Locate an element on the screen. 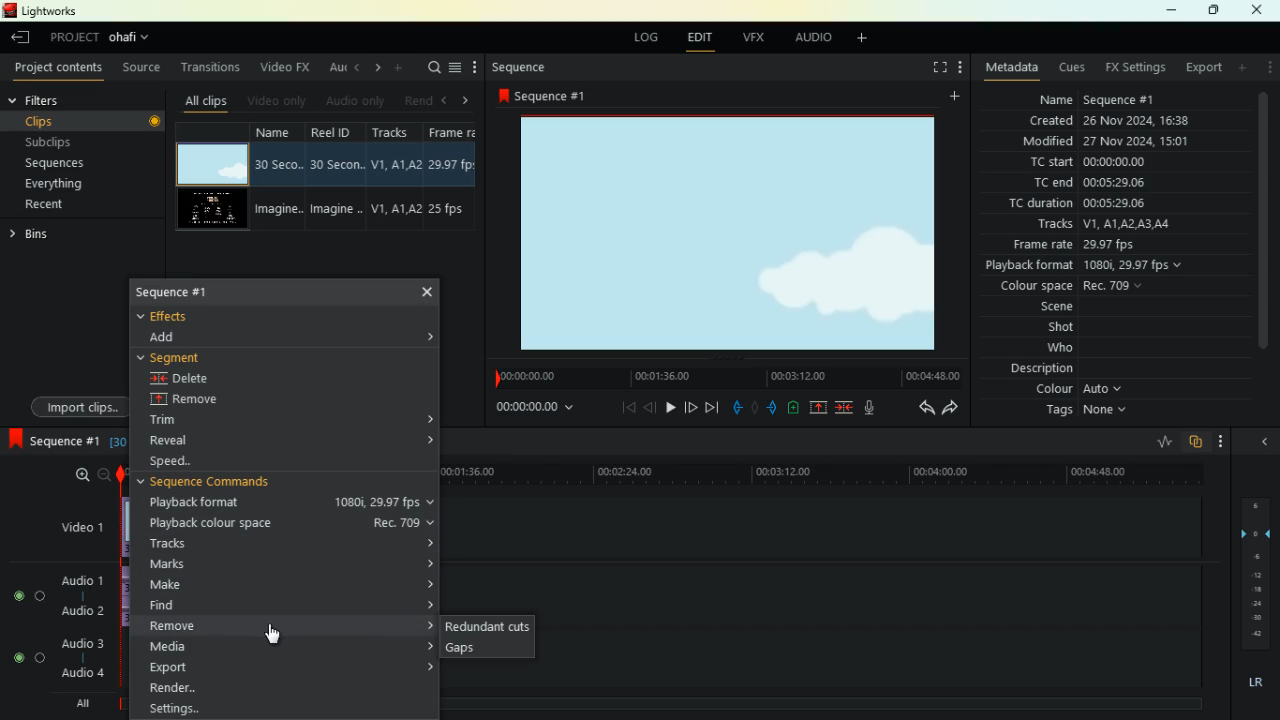  tc duration 00:05:29:06 is located at coordinates (1116, 202).